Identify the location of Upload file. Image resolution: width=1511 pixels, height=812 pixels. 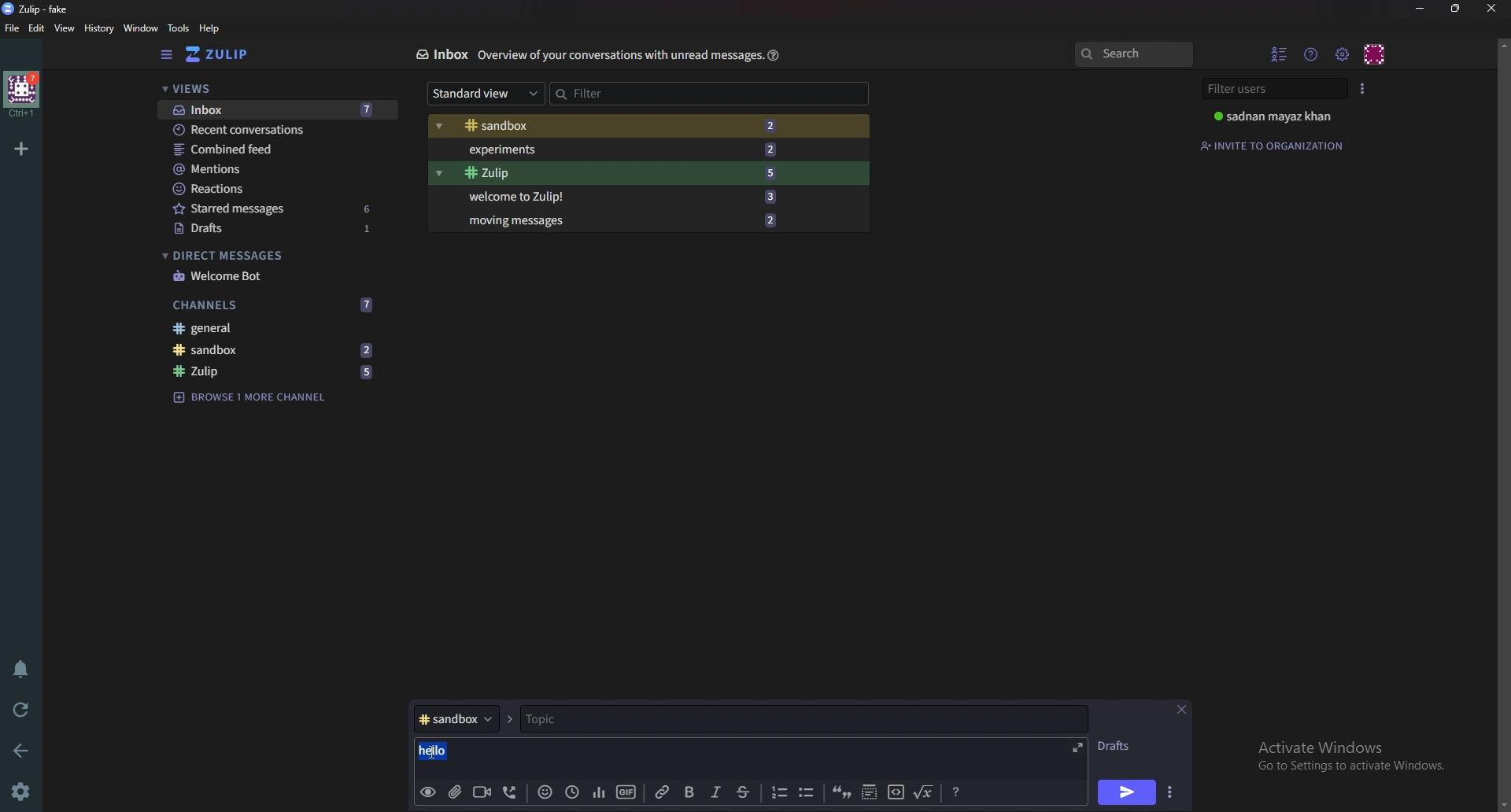
(456, 792).